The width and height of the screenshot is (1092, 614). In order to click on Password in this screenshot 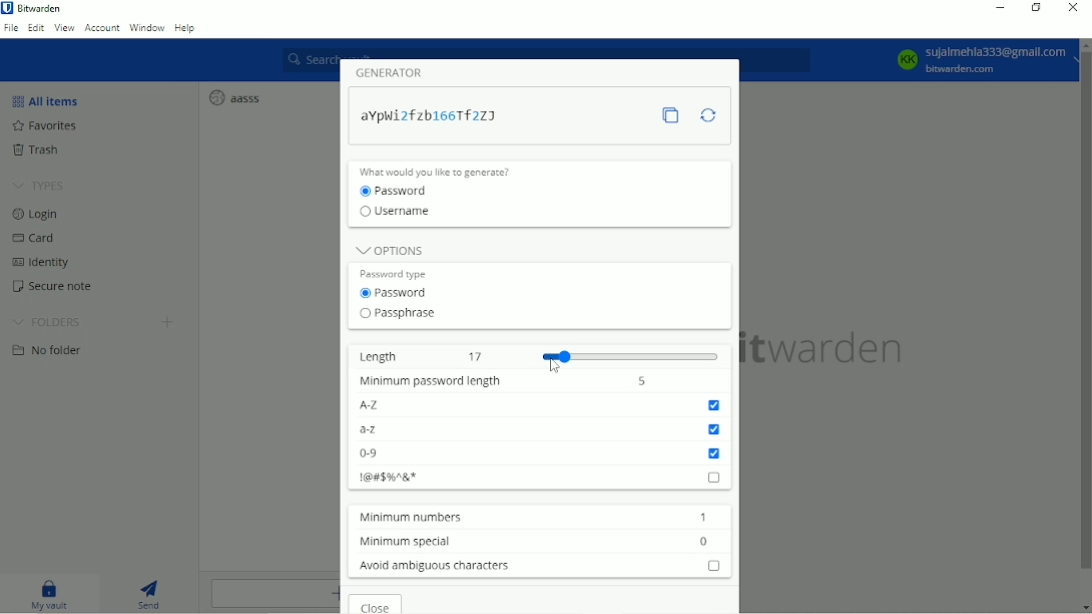, I will do `click(397, 293)`.